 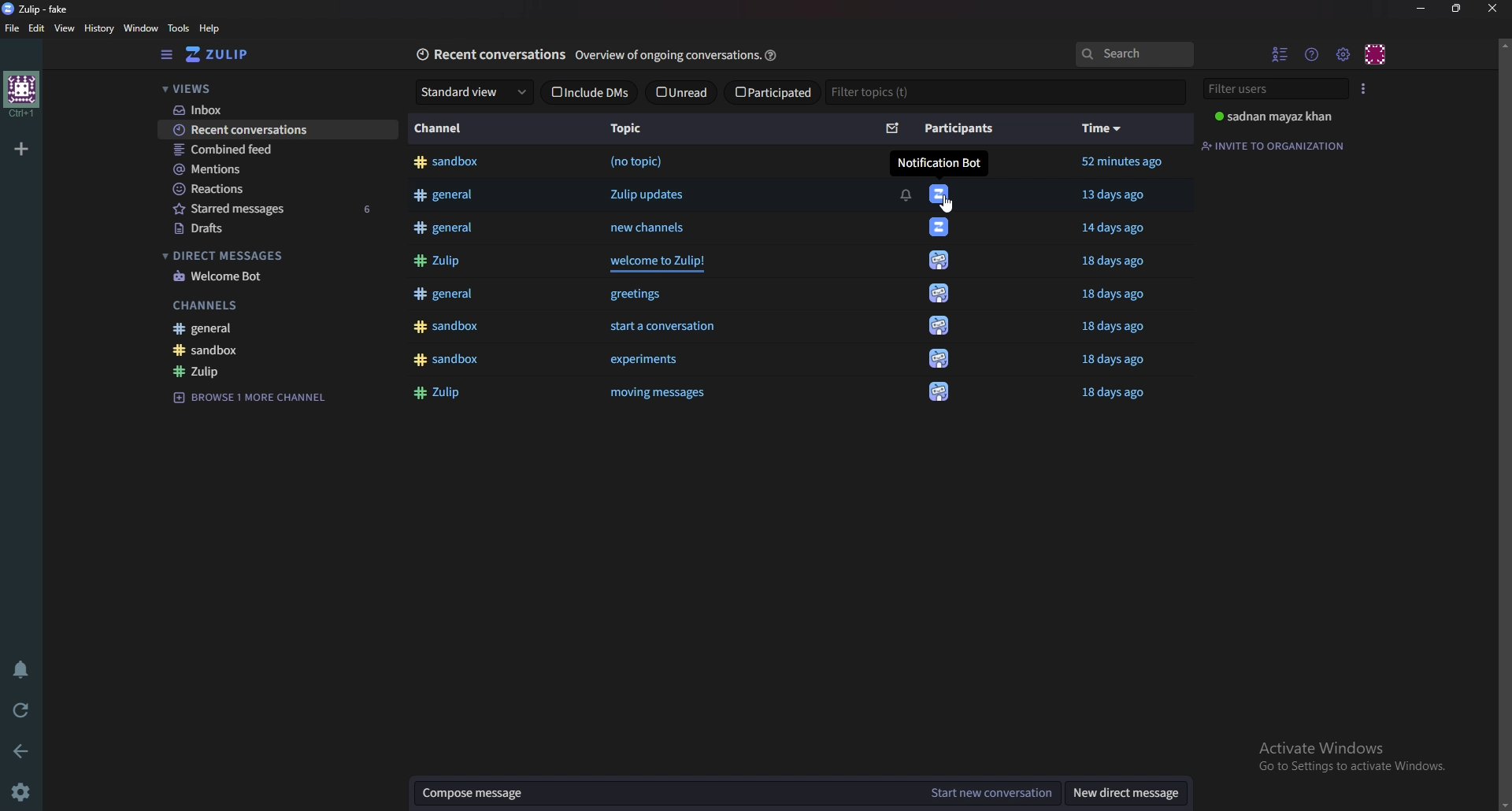 What do you see at coordinates (42, 8) in the screenshot?
I see `zulip-fake` at bounding box center [42, 8].